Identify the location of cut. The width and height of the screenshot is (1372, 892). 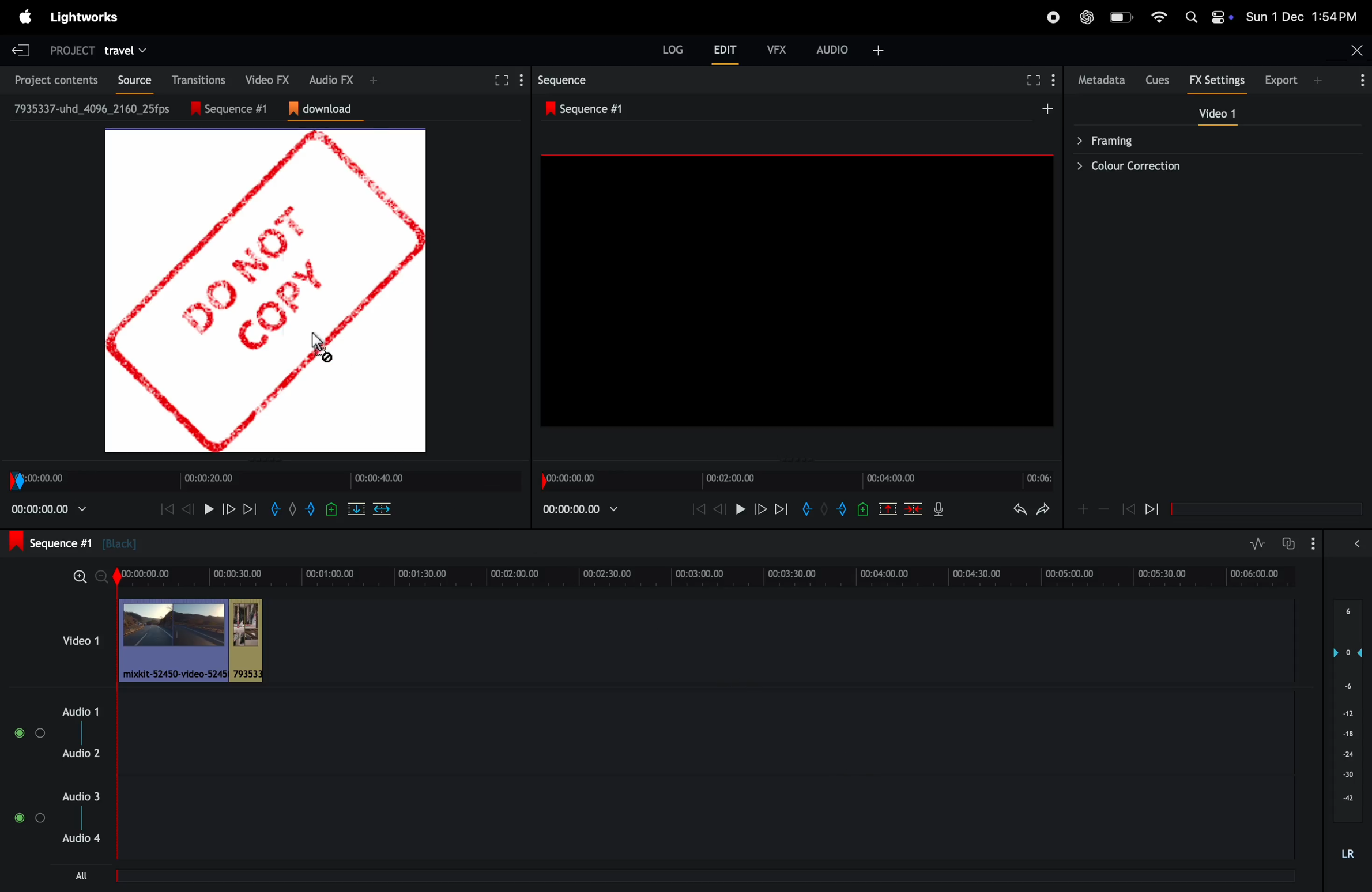
(888, 508).